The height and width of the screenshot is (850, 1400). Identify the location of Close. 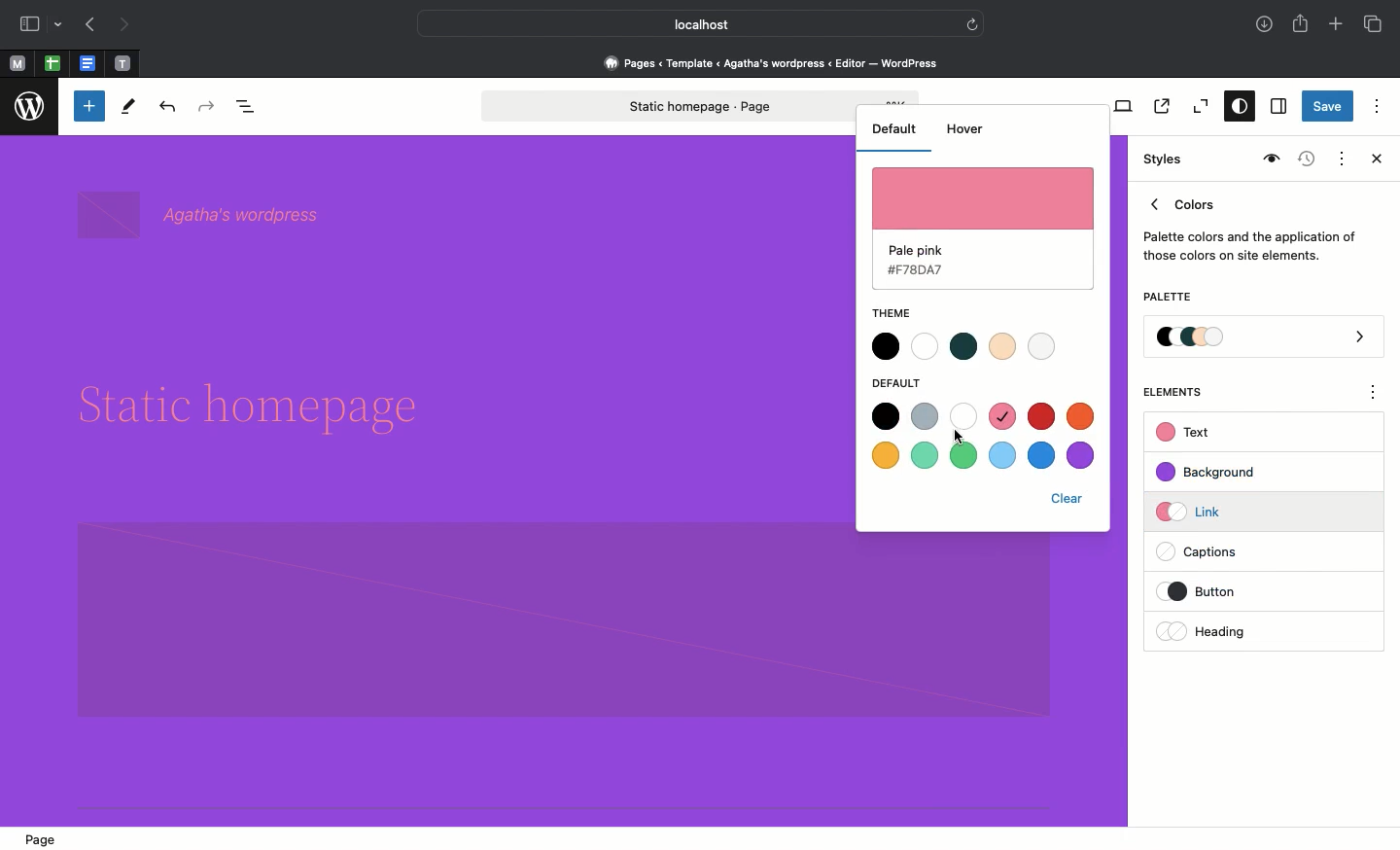
(1373, 160).